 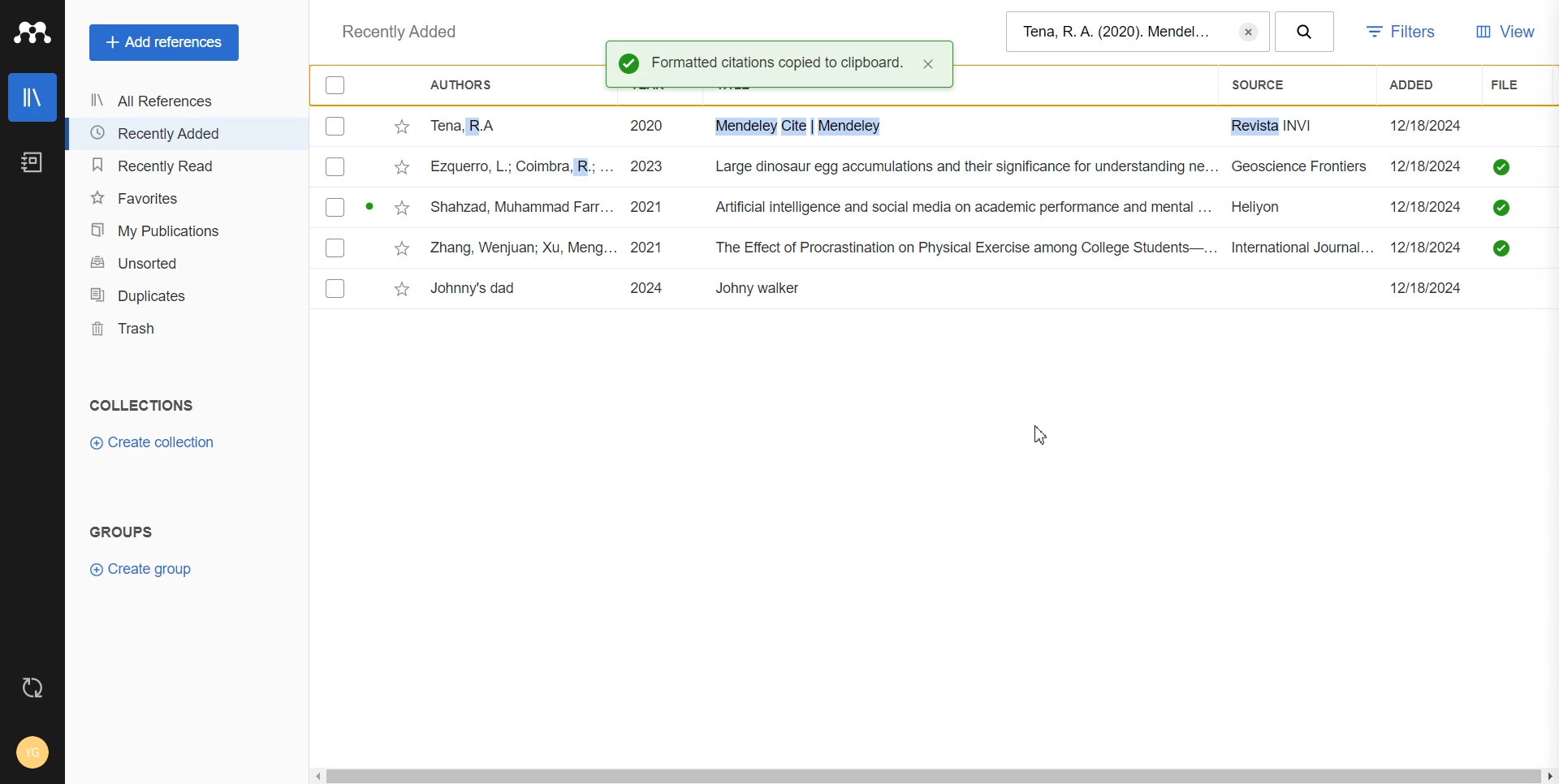 I want to click on Recently added , so click(x=401, y=33).